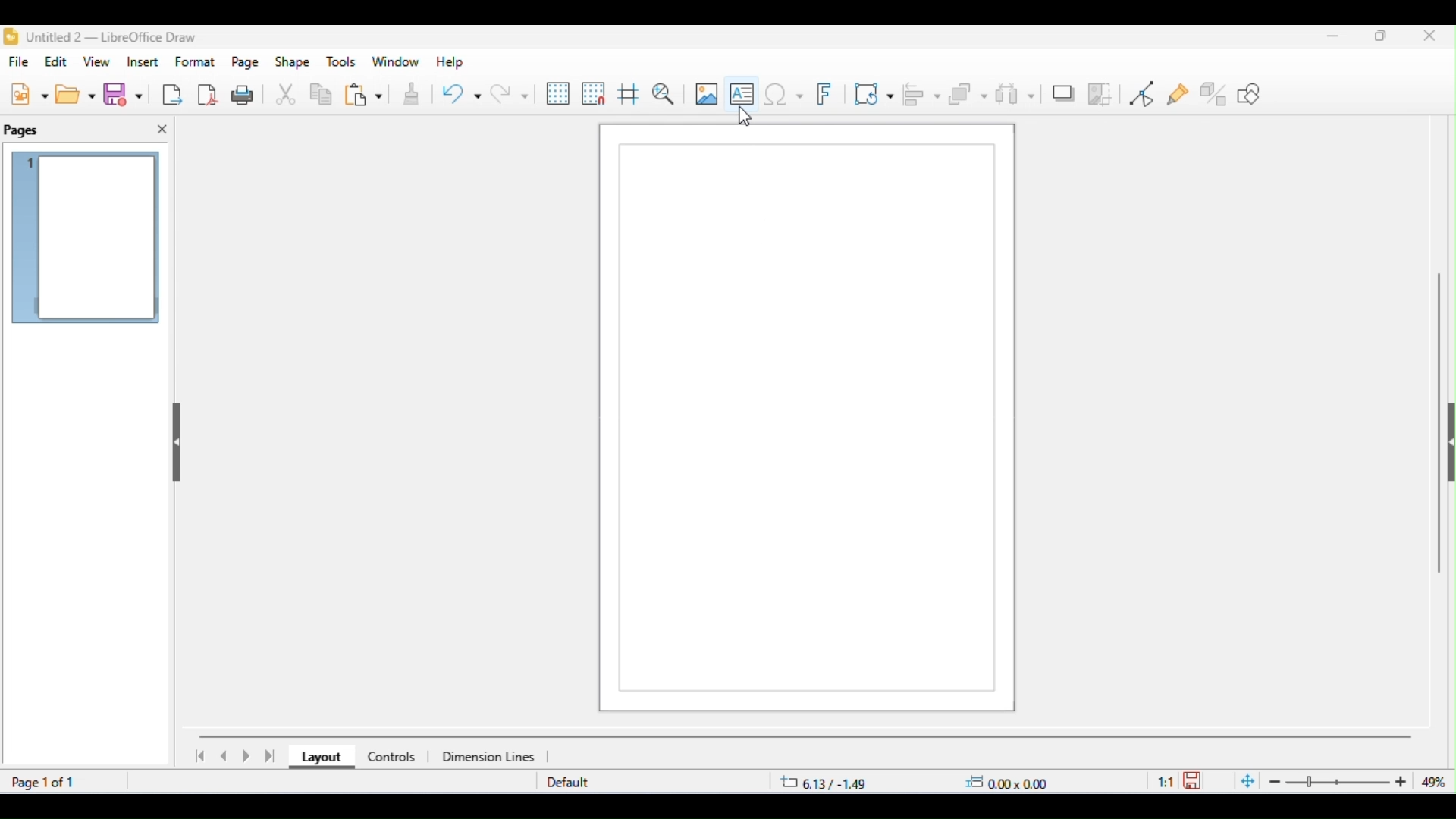  What do you see at coordinates (341, 62) in the screenshot?
I see `tools` at bounding box center [341, 62].